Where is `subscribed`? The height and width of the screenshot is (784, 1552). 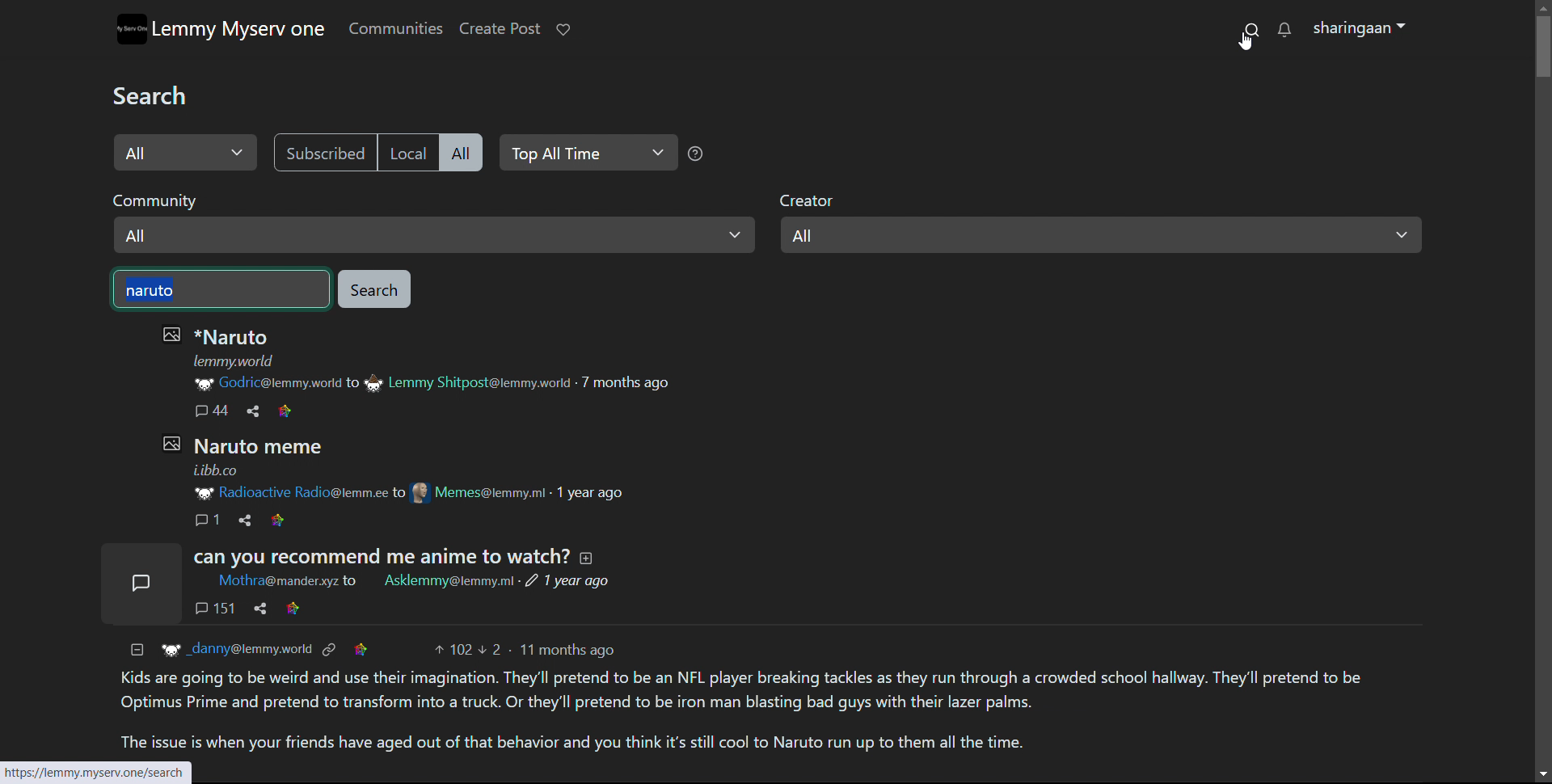
subscribed is located at coordinates (323, 152).